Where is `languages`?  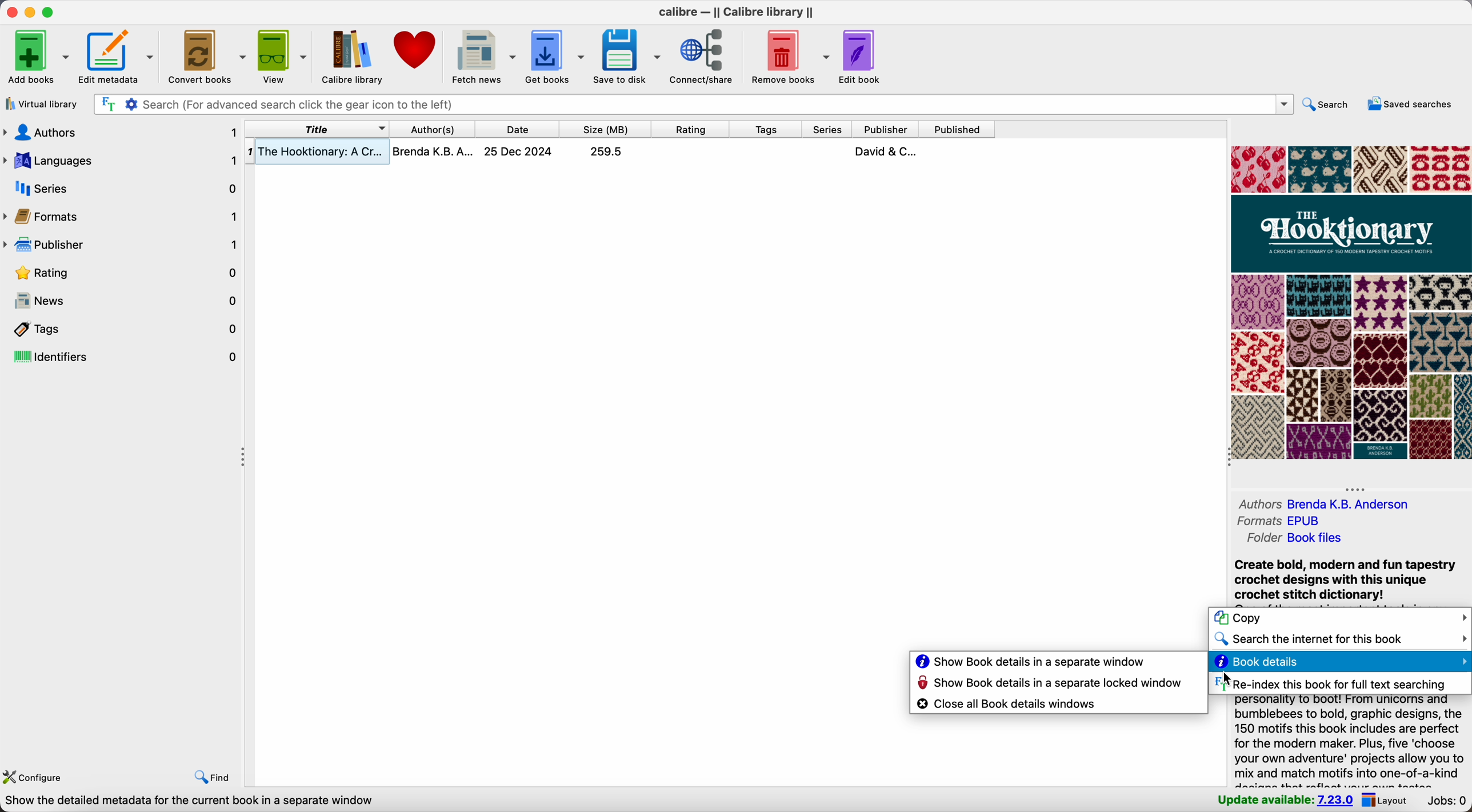
languages is located at coordinates (121, 158).